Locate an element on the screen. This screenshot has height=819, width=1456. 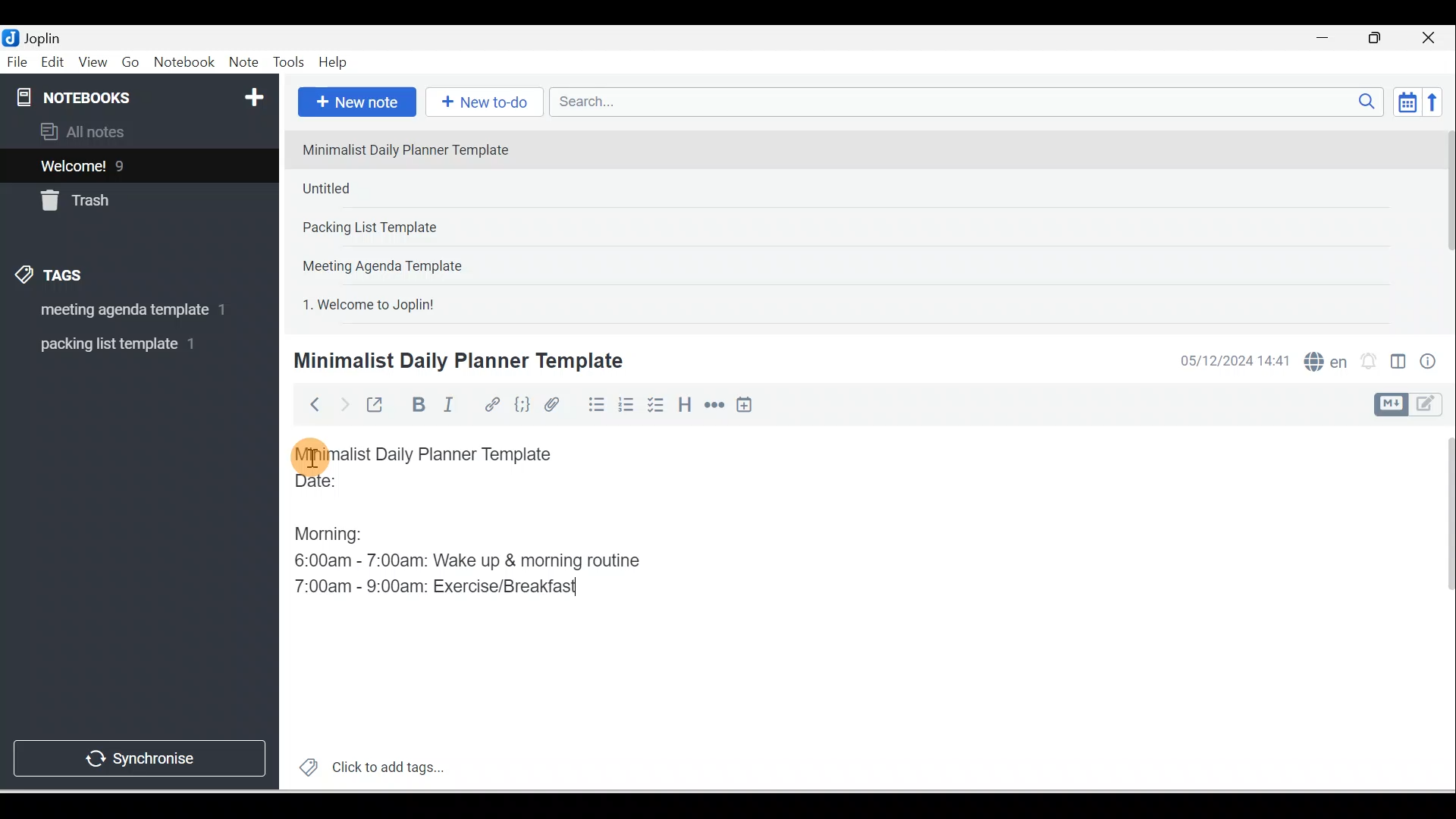
Date: is located at coordinates (359, 488).